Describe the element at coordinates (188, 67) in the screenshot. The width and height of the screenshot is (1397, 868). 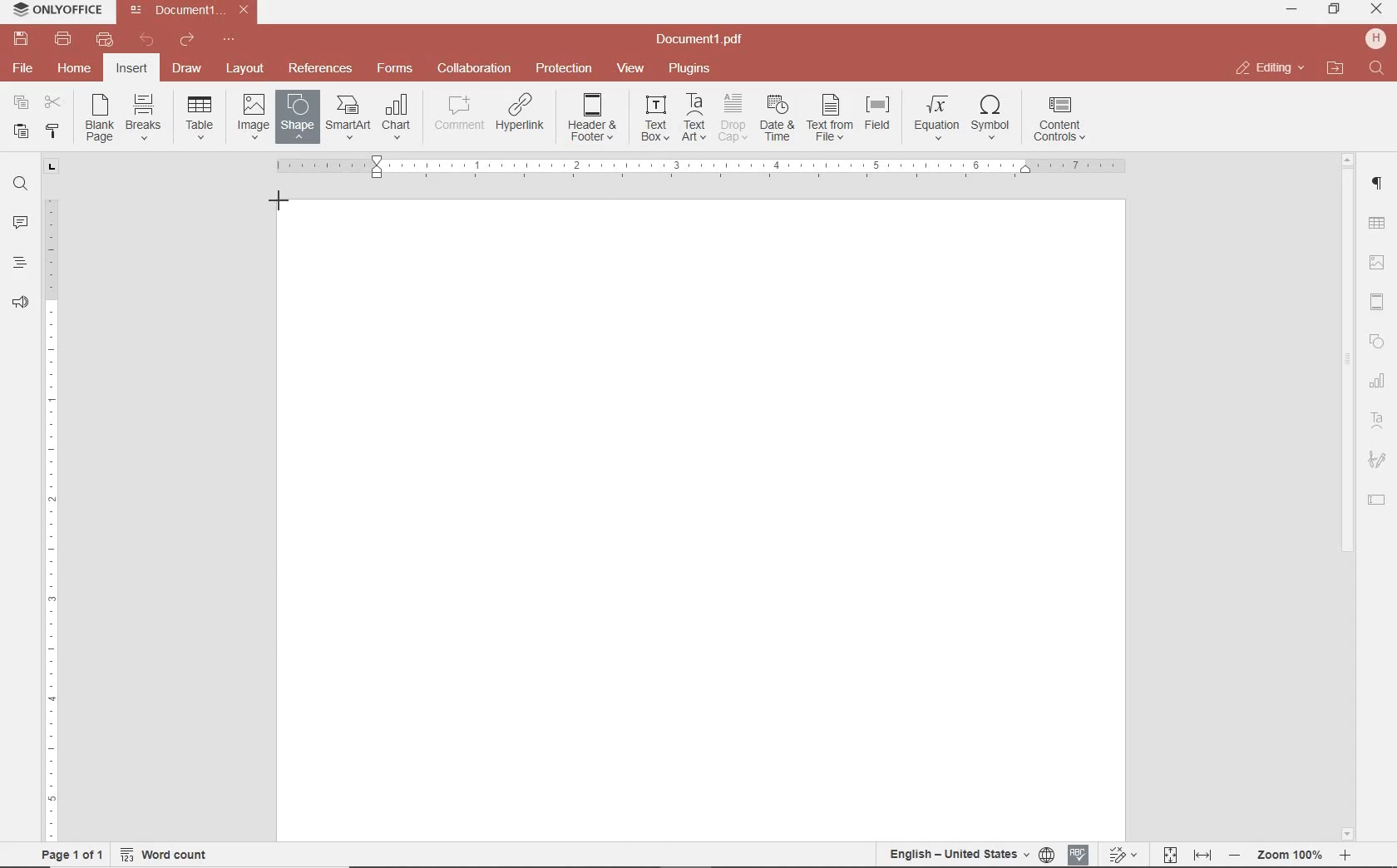
I see `draw` at that location.